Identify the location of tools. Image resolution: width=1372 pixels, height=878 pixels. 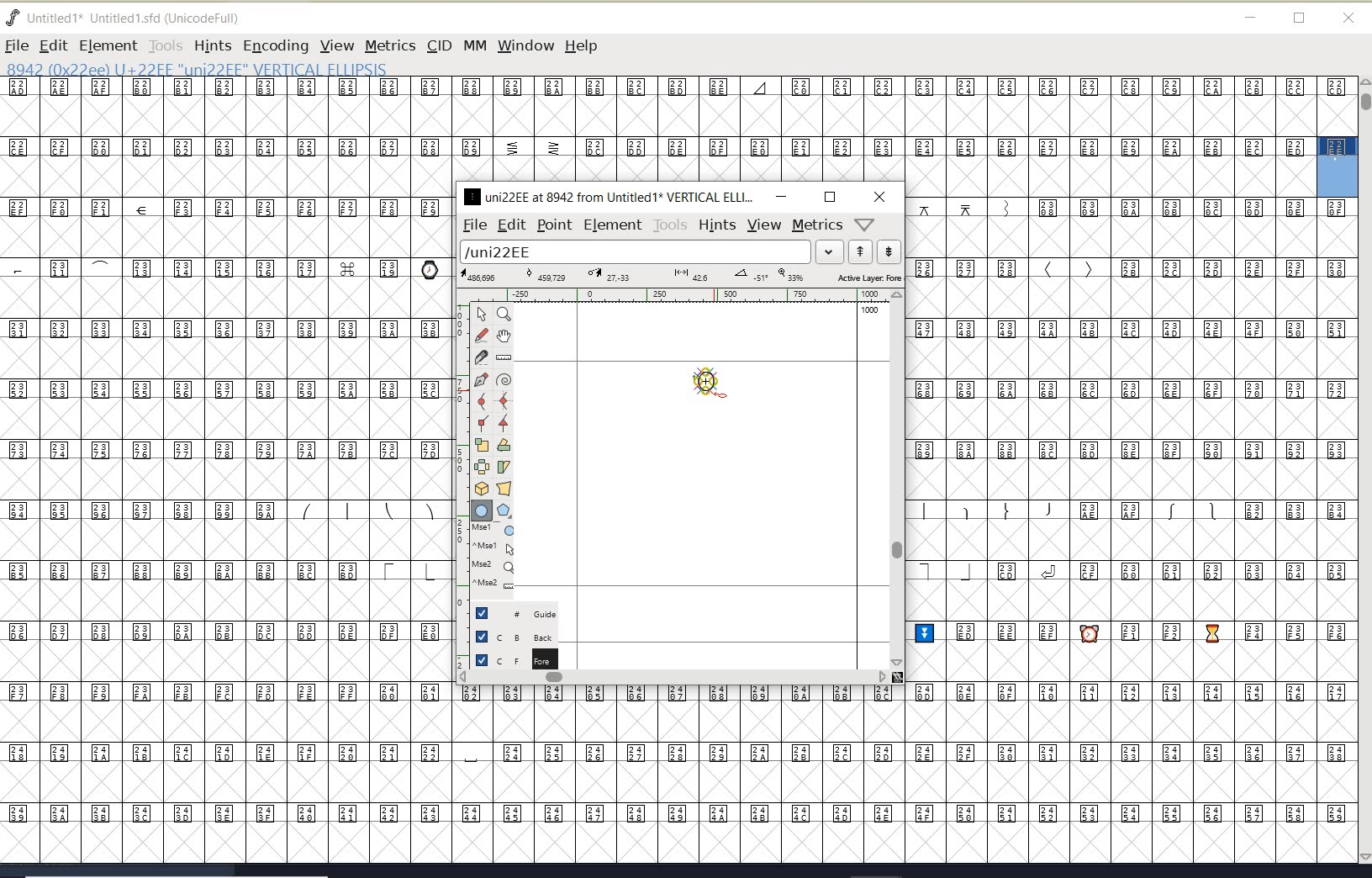
(671, 225).